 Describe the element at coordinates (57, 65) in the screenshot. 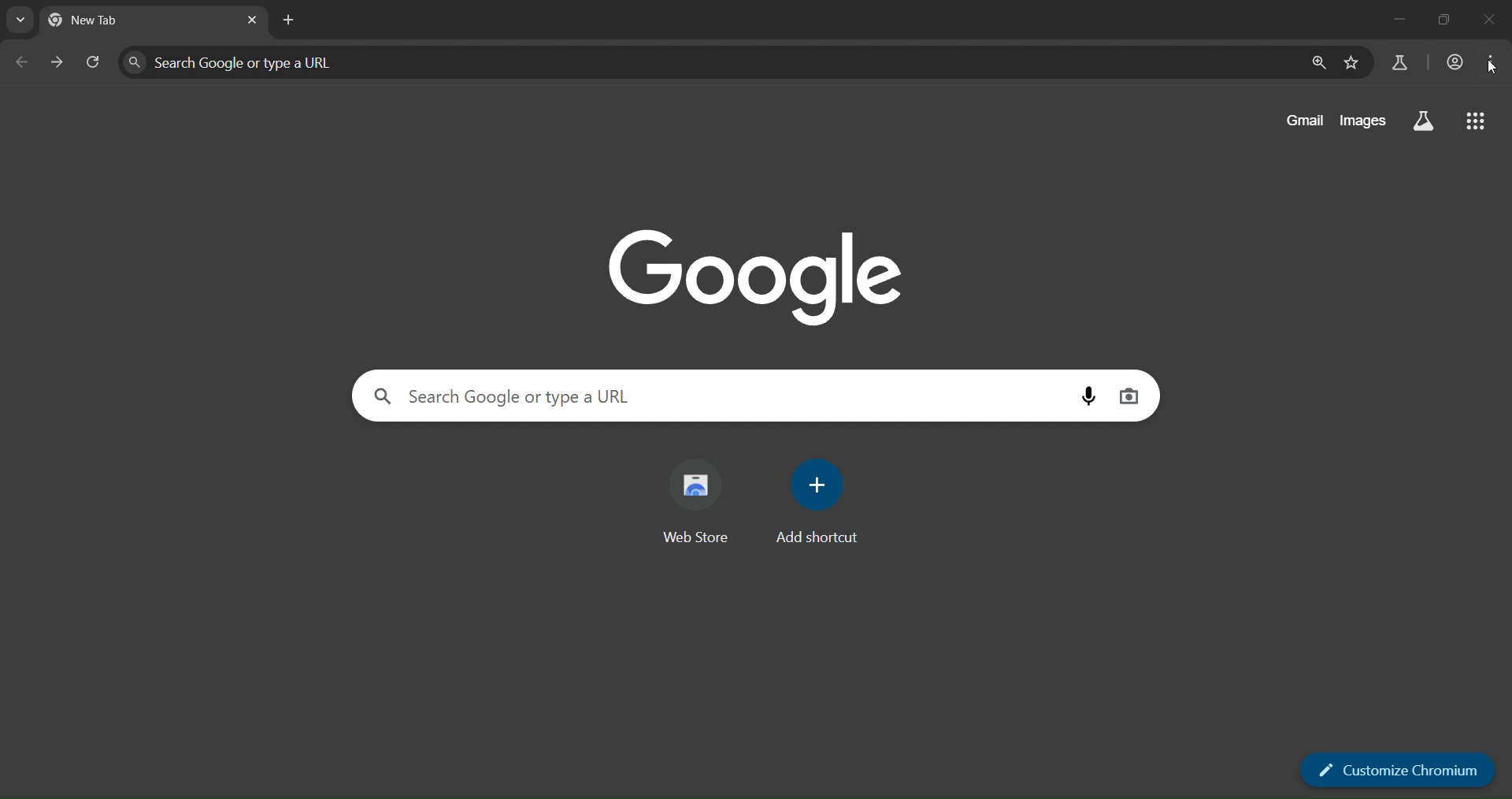

I see `go forward one page` at that location.